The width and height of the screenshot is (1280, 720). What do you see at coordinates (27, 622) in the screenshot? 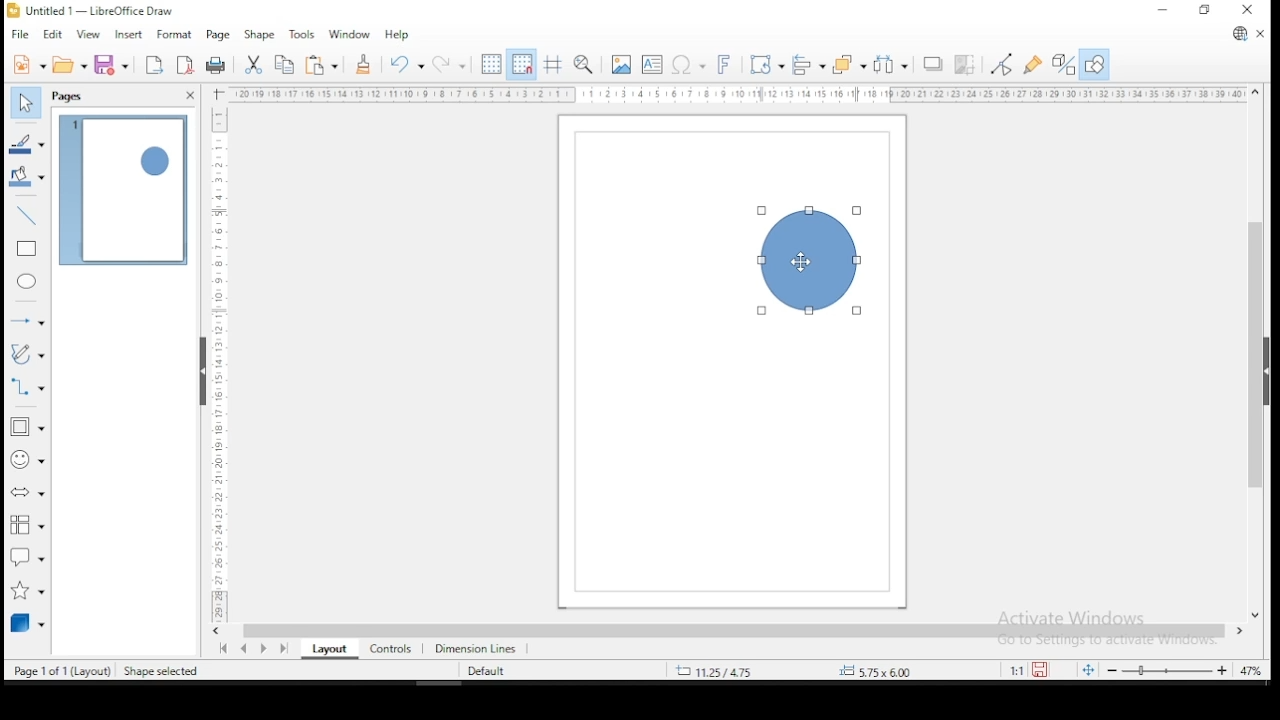
I see `3D objects` at bounding box center [27, 622].